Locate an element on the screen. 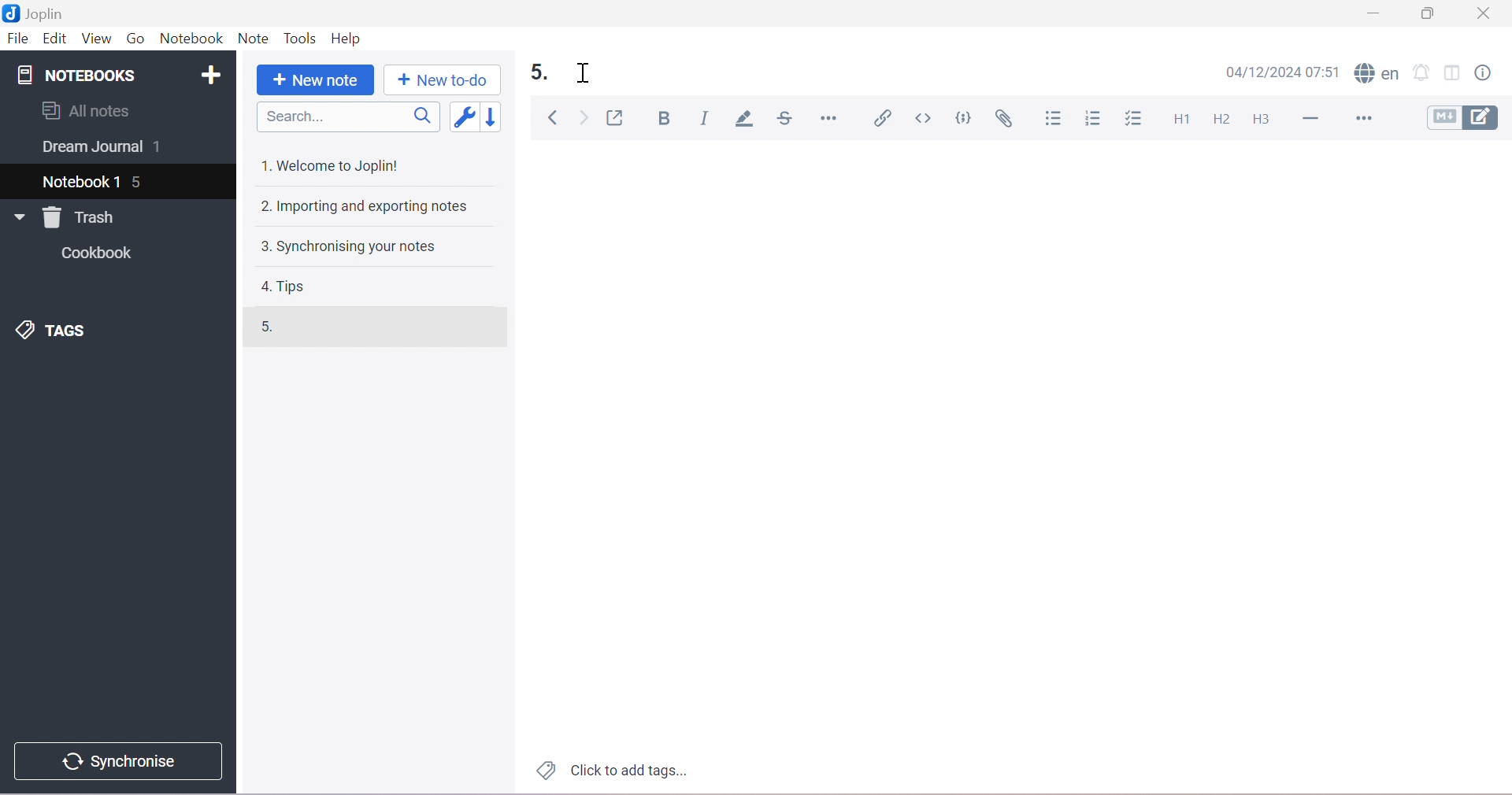 The width and height of the screenshot is (1512, 795). Toggle editors is located at coordinates (1467, 117).